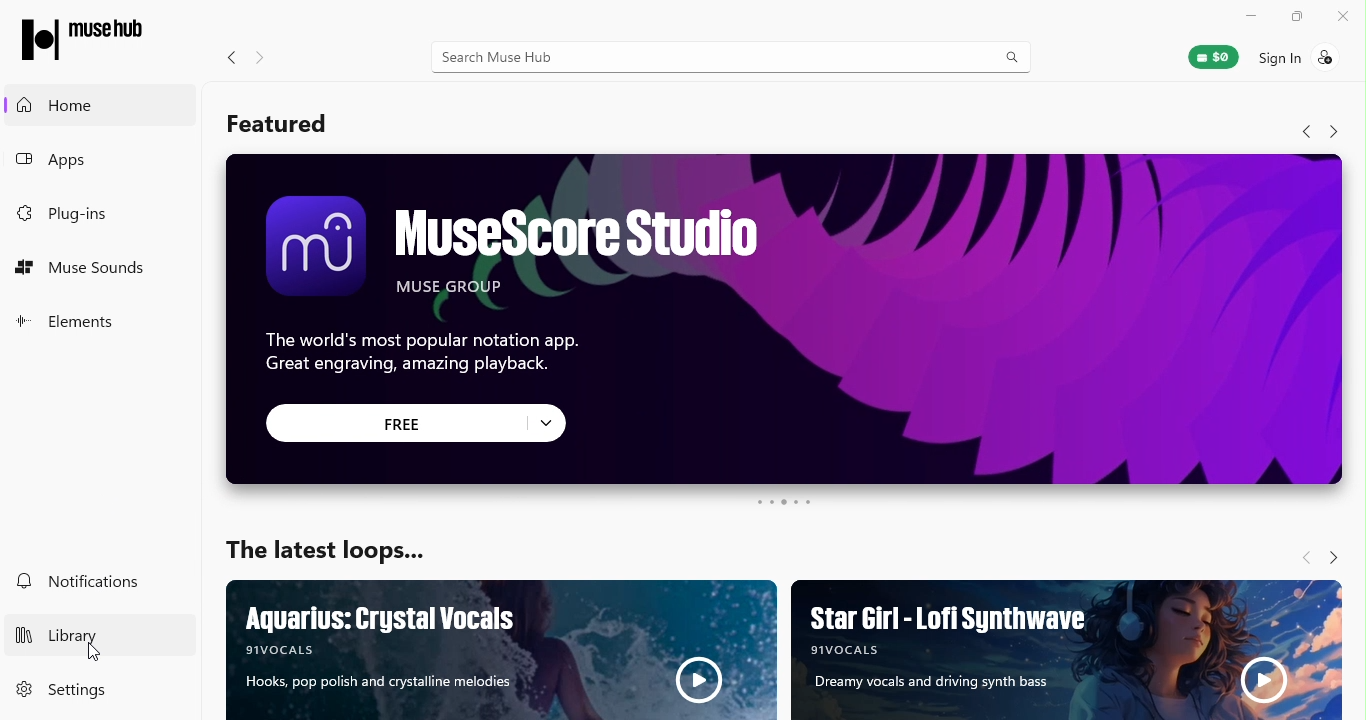 This screenshot has height=720, width=1366. What do you see at coordinates (226, 57) in the screenshot?
I see `Navigate back` at bounding box center [226, 57].